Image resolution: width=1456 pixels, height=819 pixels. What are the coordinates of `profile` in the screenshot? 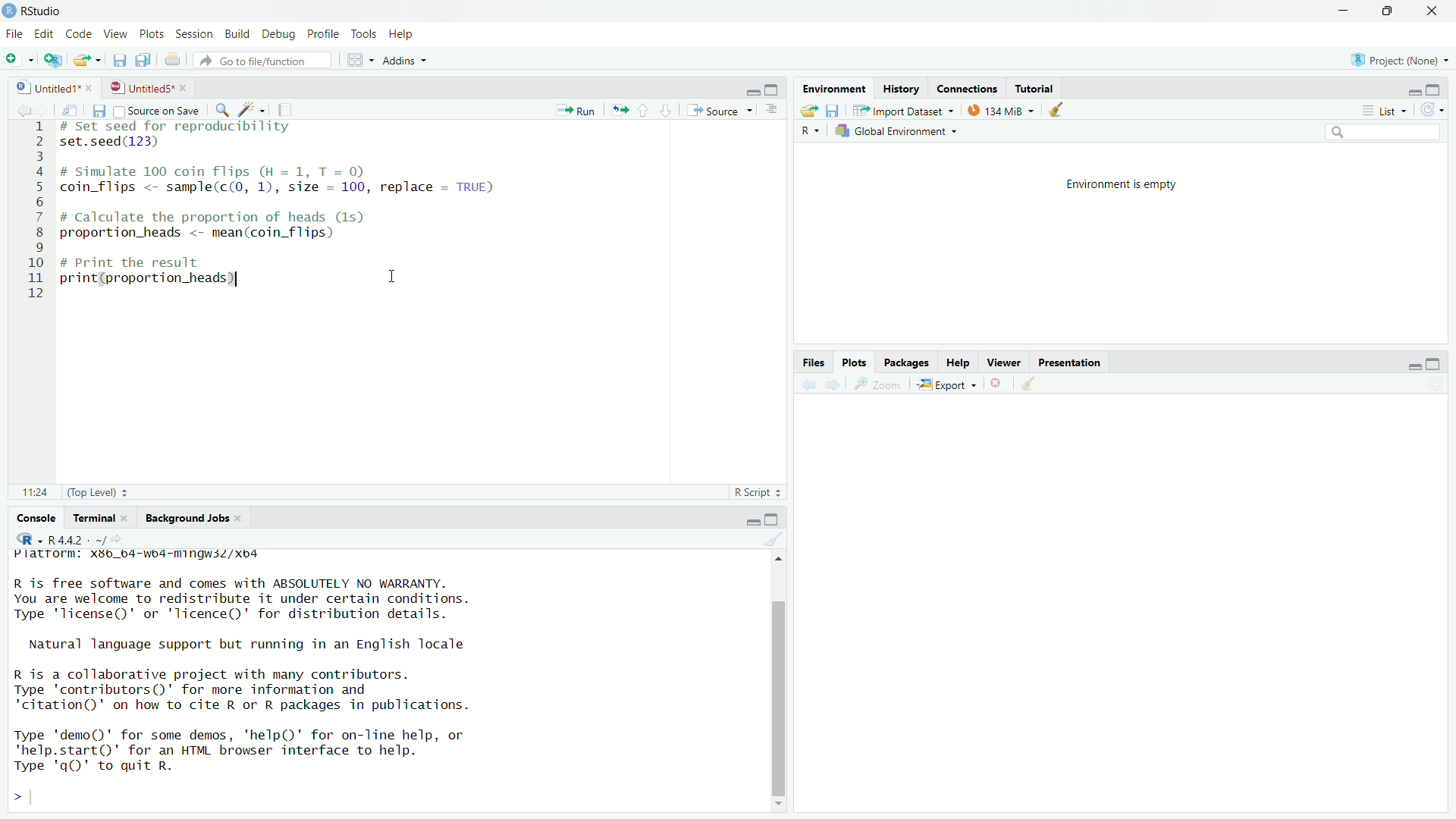 It's located at (325, 33).